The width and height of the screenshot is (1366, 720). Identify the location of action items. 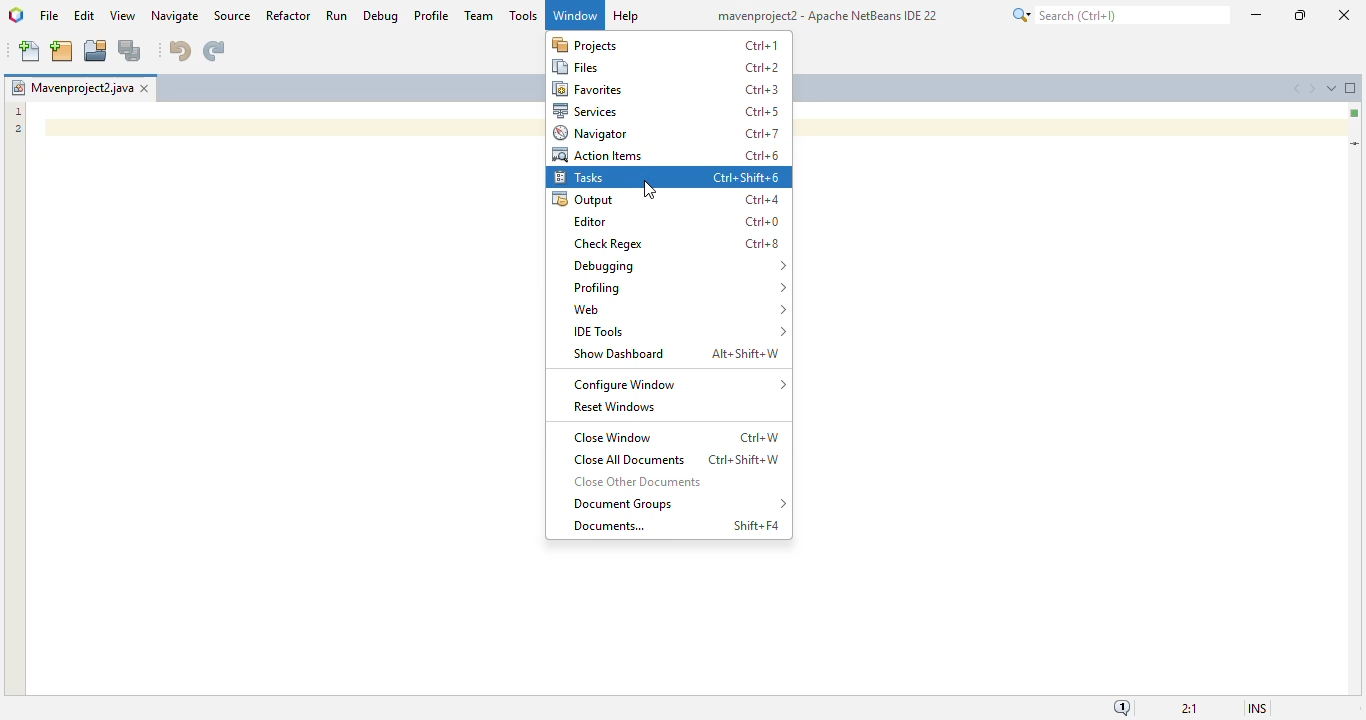
(598, 155).